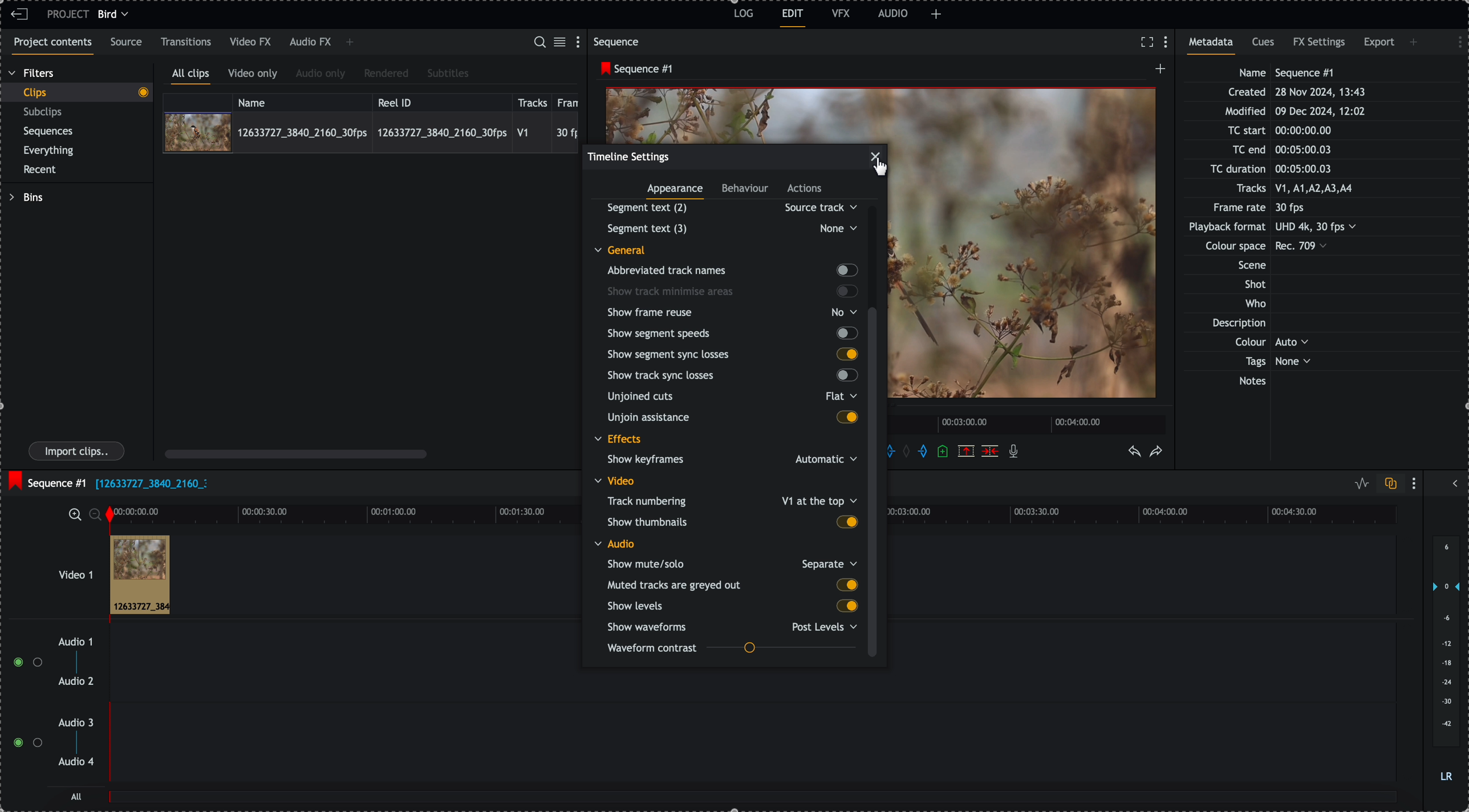 The width and height of the screenshot is (1469, 812). Describe the element at coordinates (581, 41) in the screenshot. I see `show settings menu` at that location.